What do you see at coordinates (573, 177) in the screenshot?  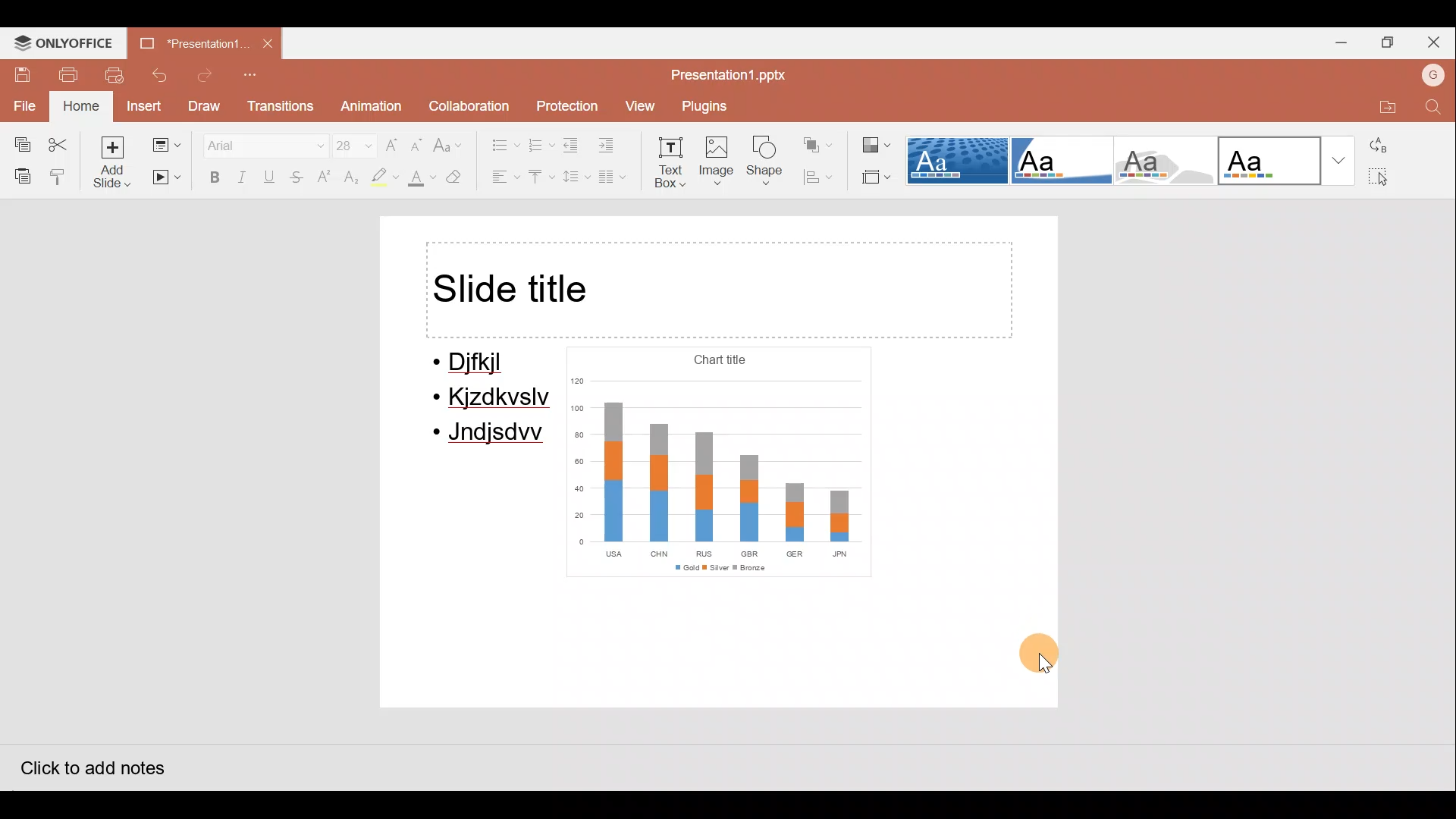 I see `Line spacing` at bounding box center [573, 177].